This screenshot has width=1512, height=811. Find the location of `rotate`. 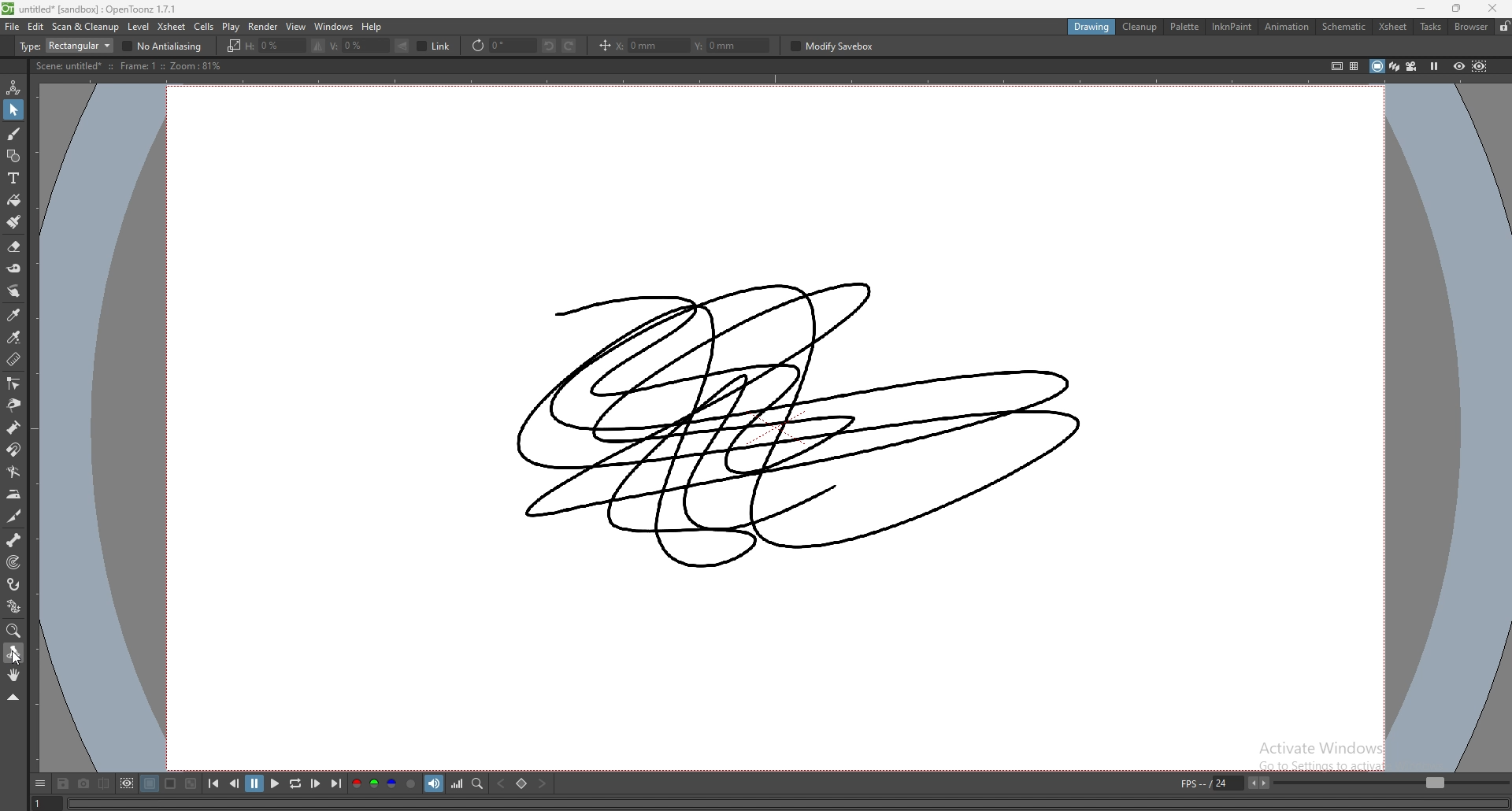

rotate is located at coordinates (503, 45).